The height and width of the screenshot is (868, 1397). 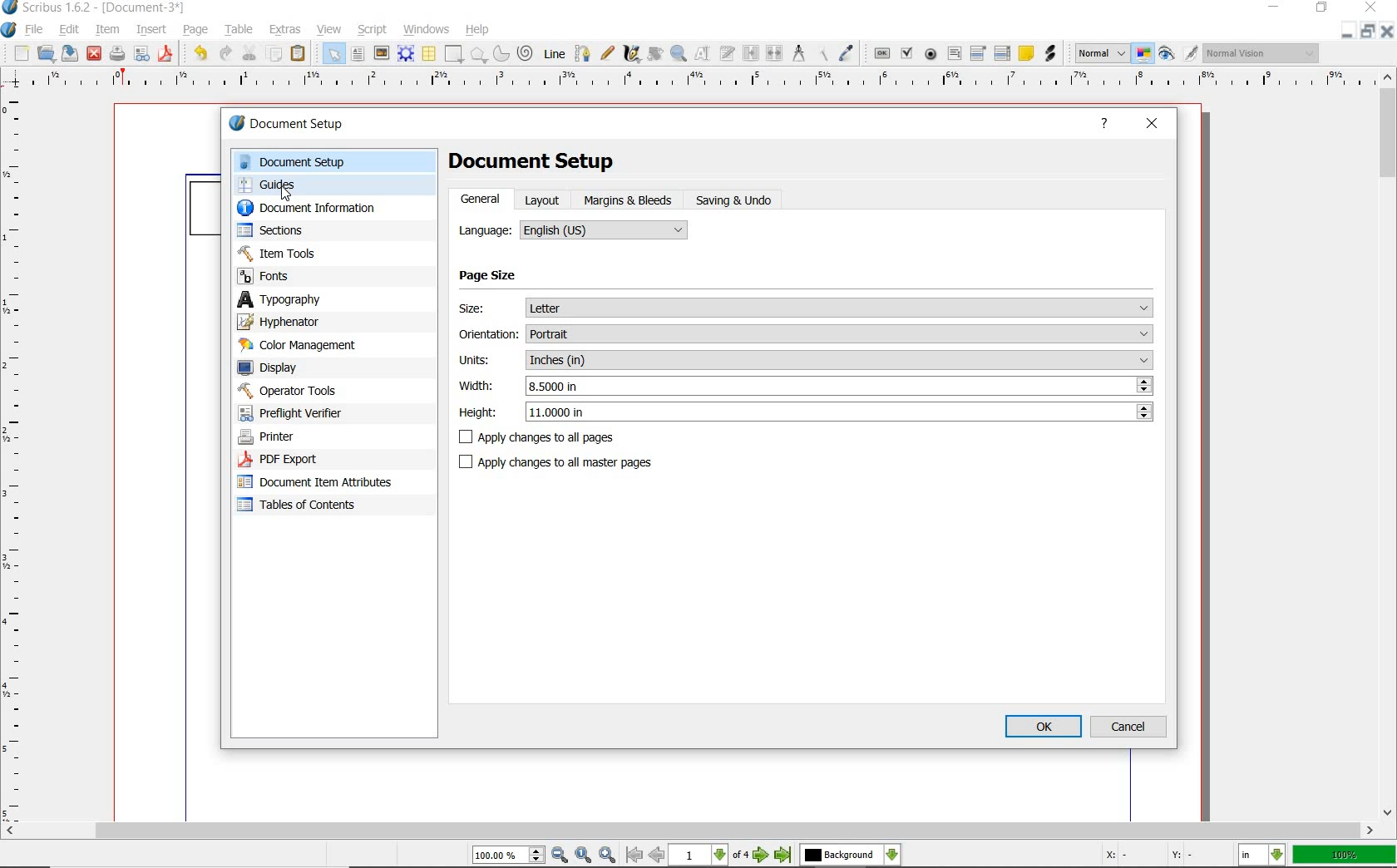 What do you see at coordinates (486, 311) in the screenshot?
I see `Size:` at bounding box center [486, 311].